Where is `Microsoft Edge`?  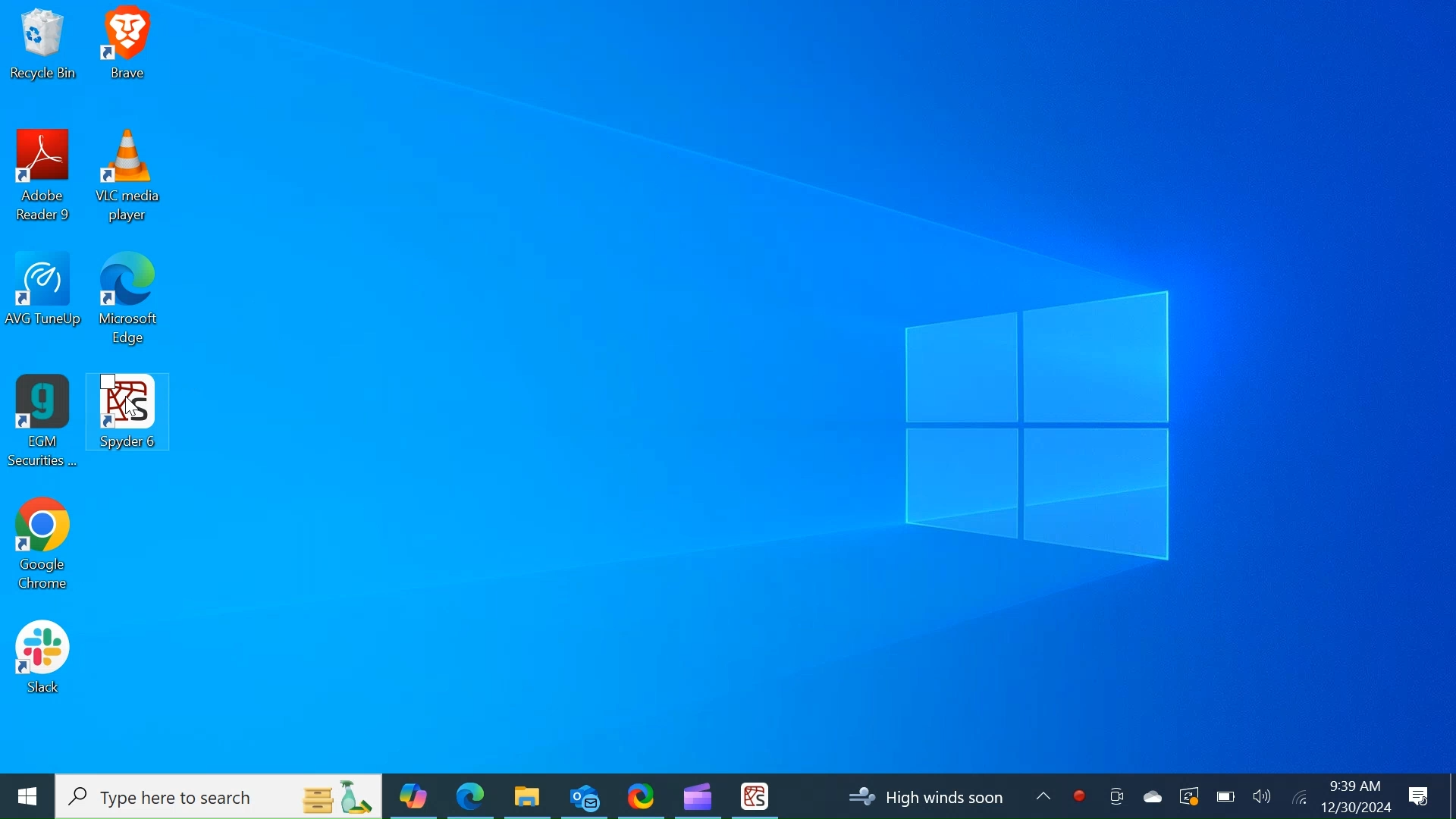
Microsoft Edge is located at coordinates (470, 795).